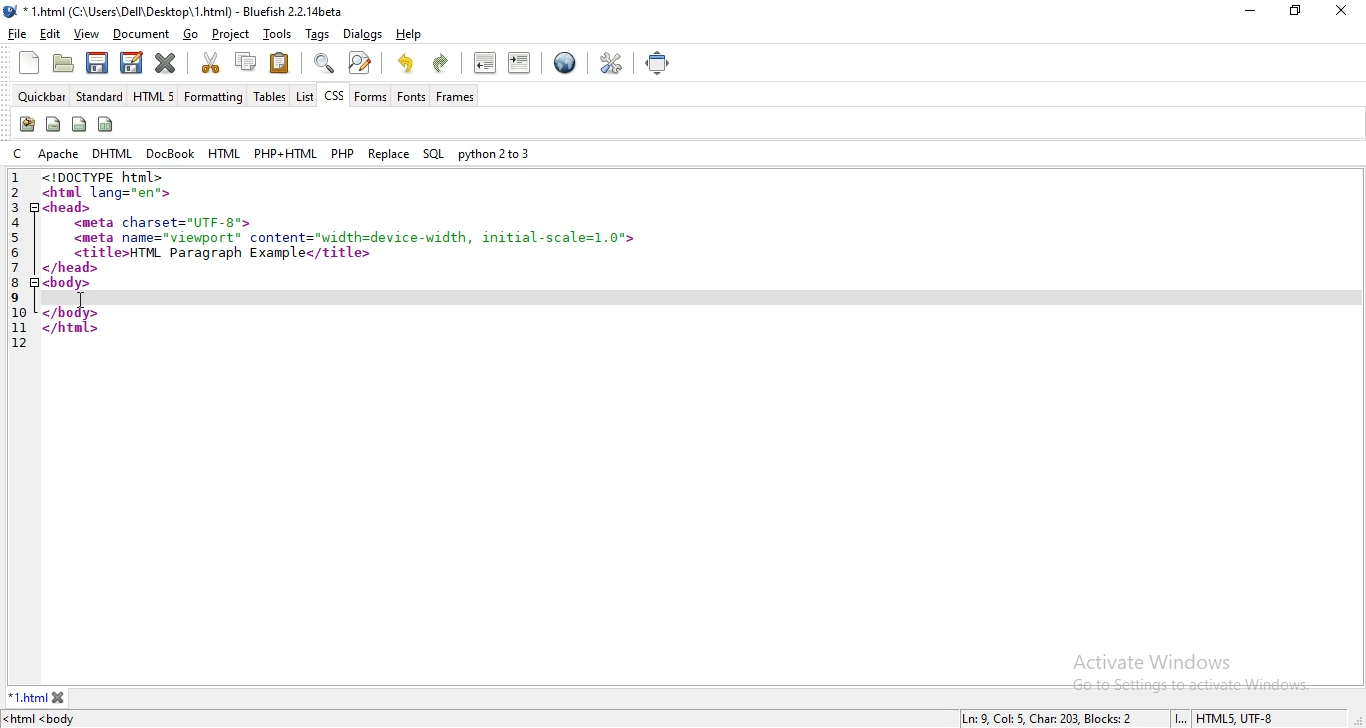 The height and width of the screenshot is (728, 1366). Describe the element at coordinates (278, 33) in the screenshot. I see `tools` at that location.